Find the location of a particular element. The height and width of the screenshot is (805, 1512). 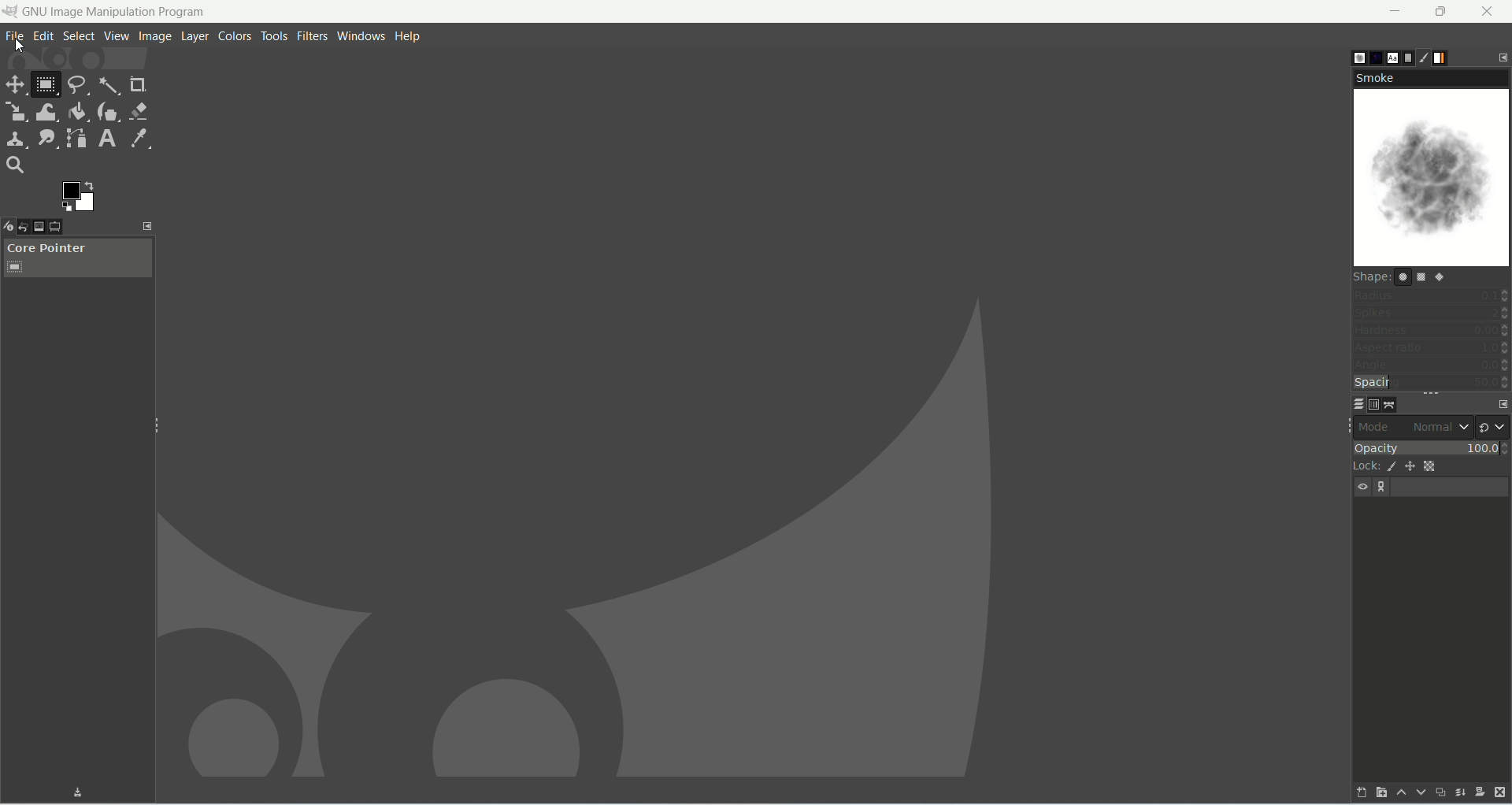

images is located at coordinates (41, 226).